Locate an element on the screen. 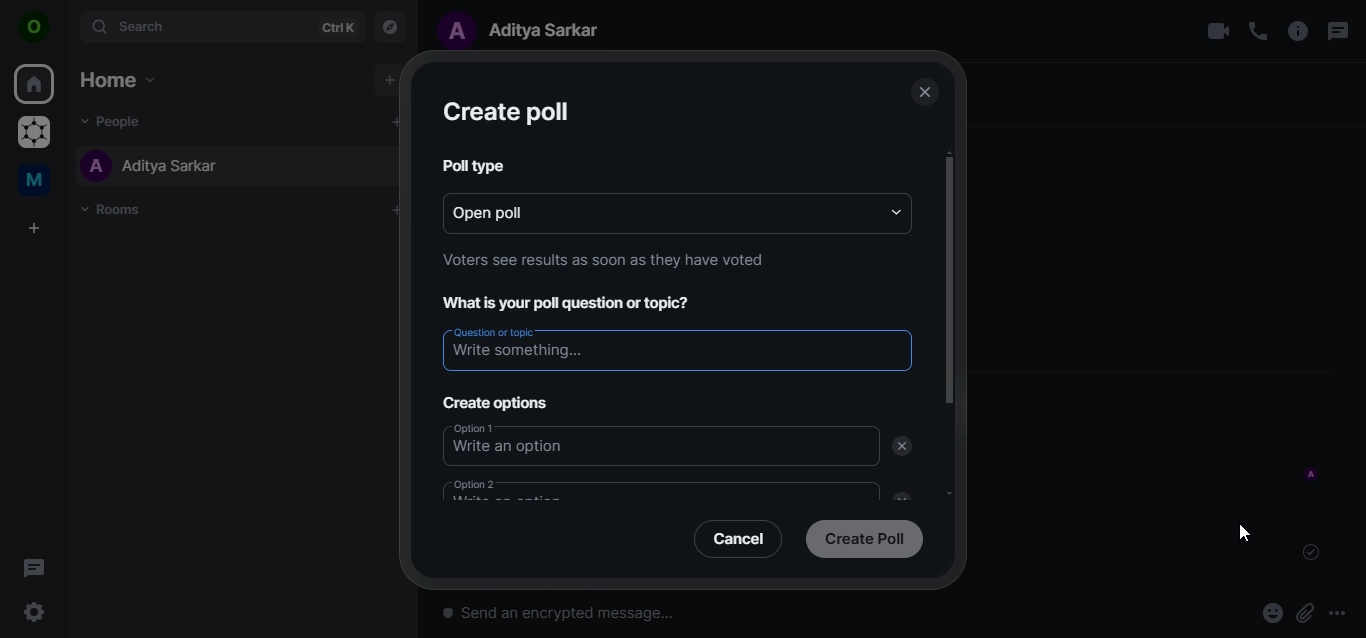 This screenshot has height=638, width=1366. poll type is located at coordinates (470, 164).